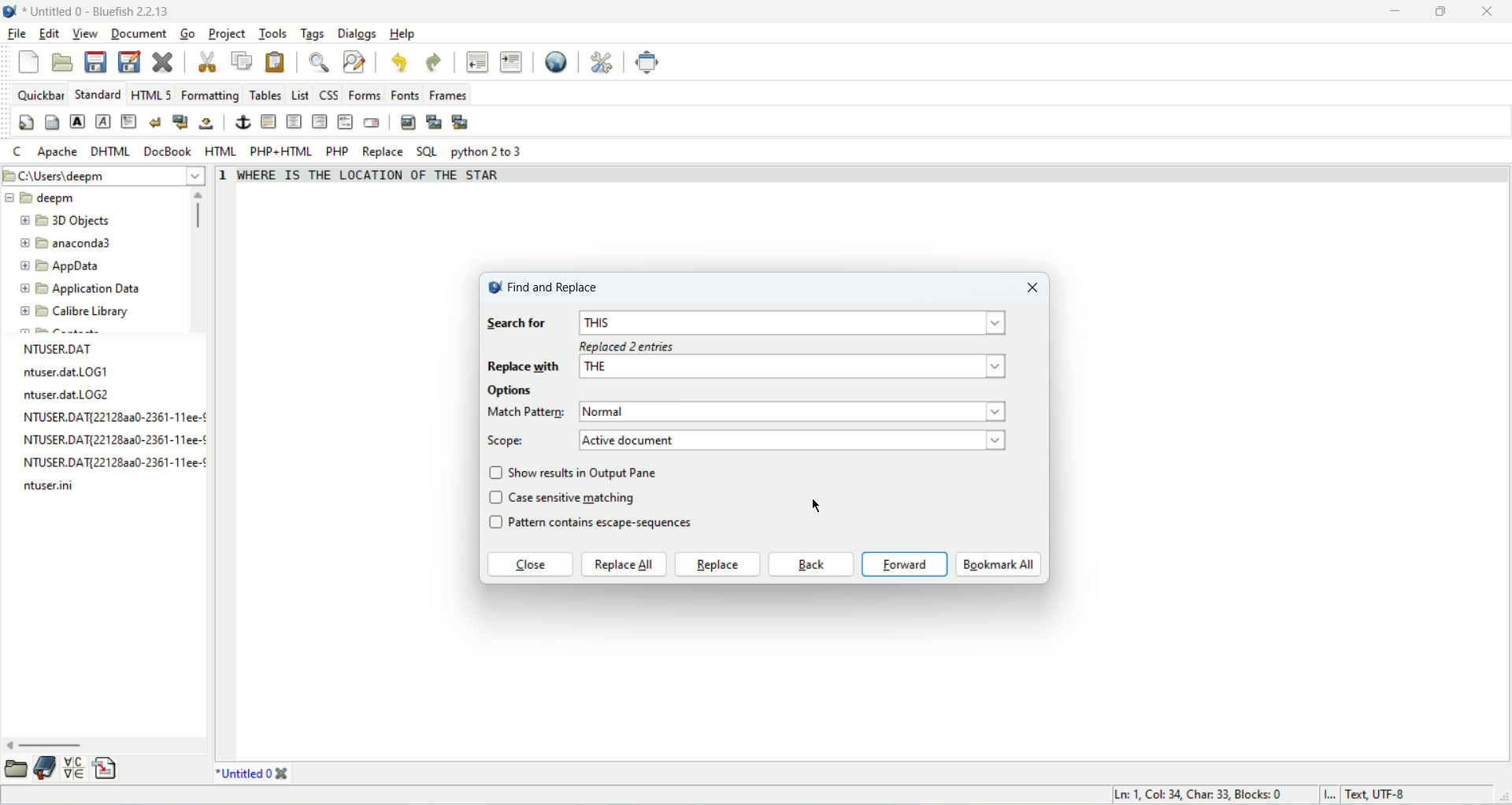 The image size is (1512, 805). I want to click on cursor, so click(815, 512).